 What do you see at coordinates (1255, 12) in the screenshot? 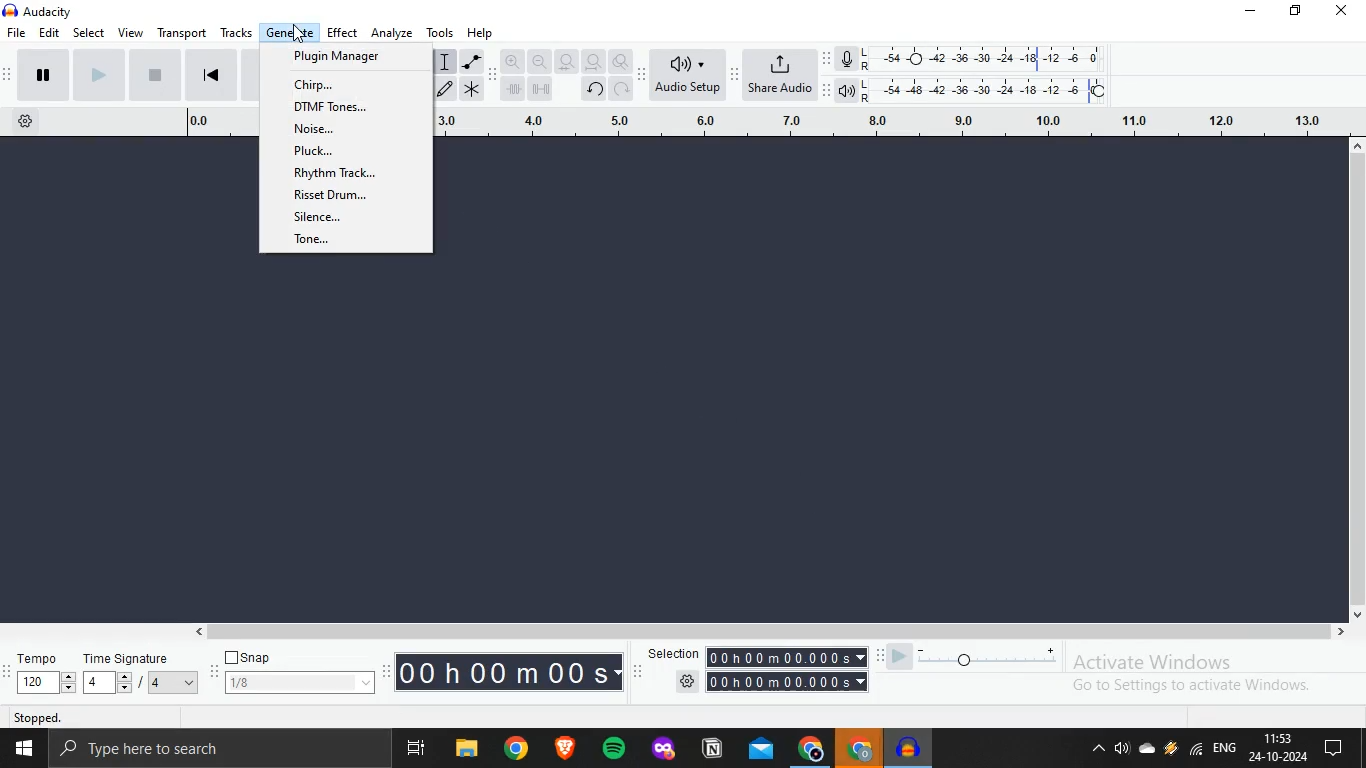
I see `Minimize` at bounding box center [1255, 12].